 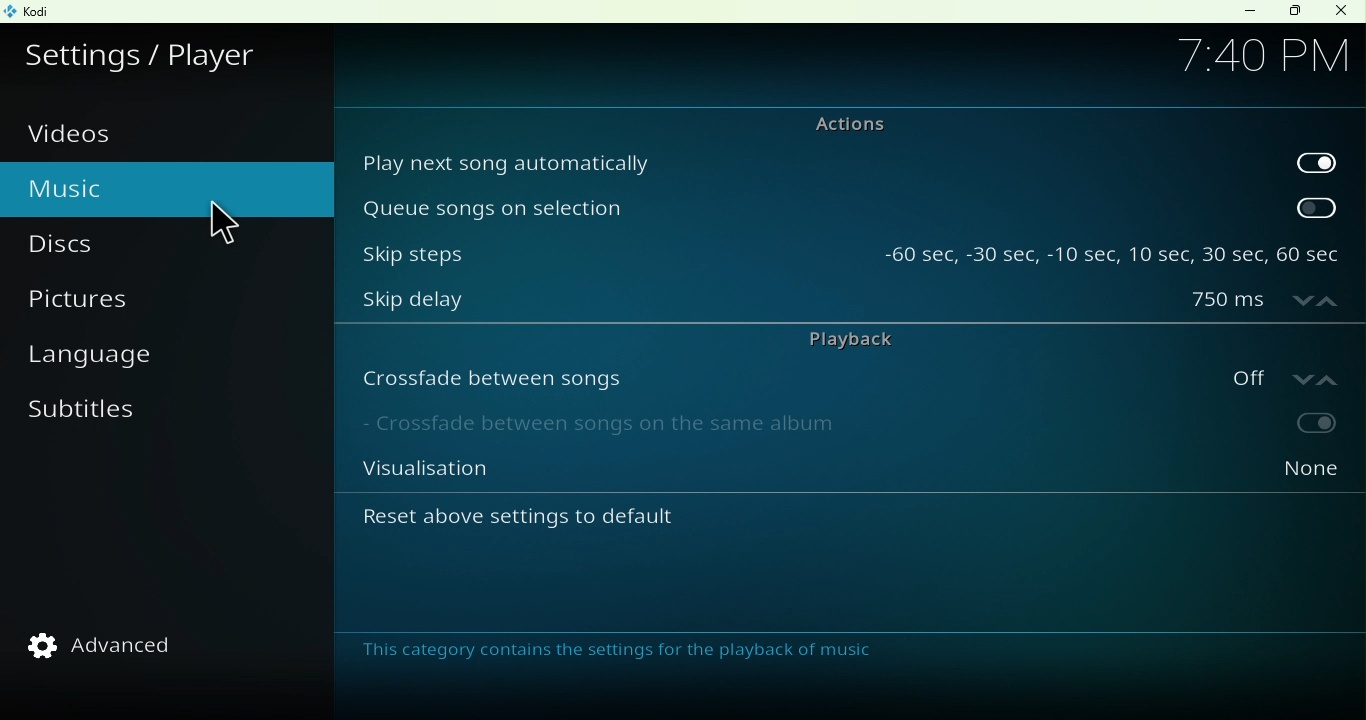 I want to click on Pictures, so click(x=109, y=305).